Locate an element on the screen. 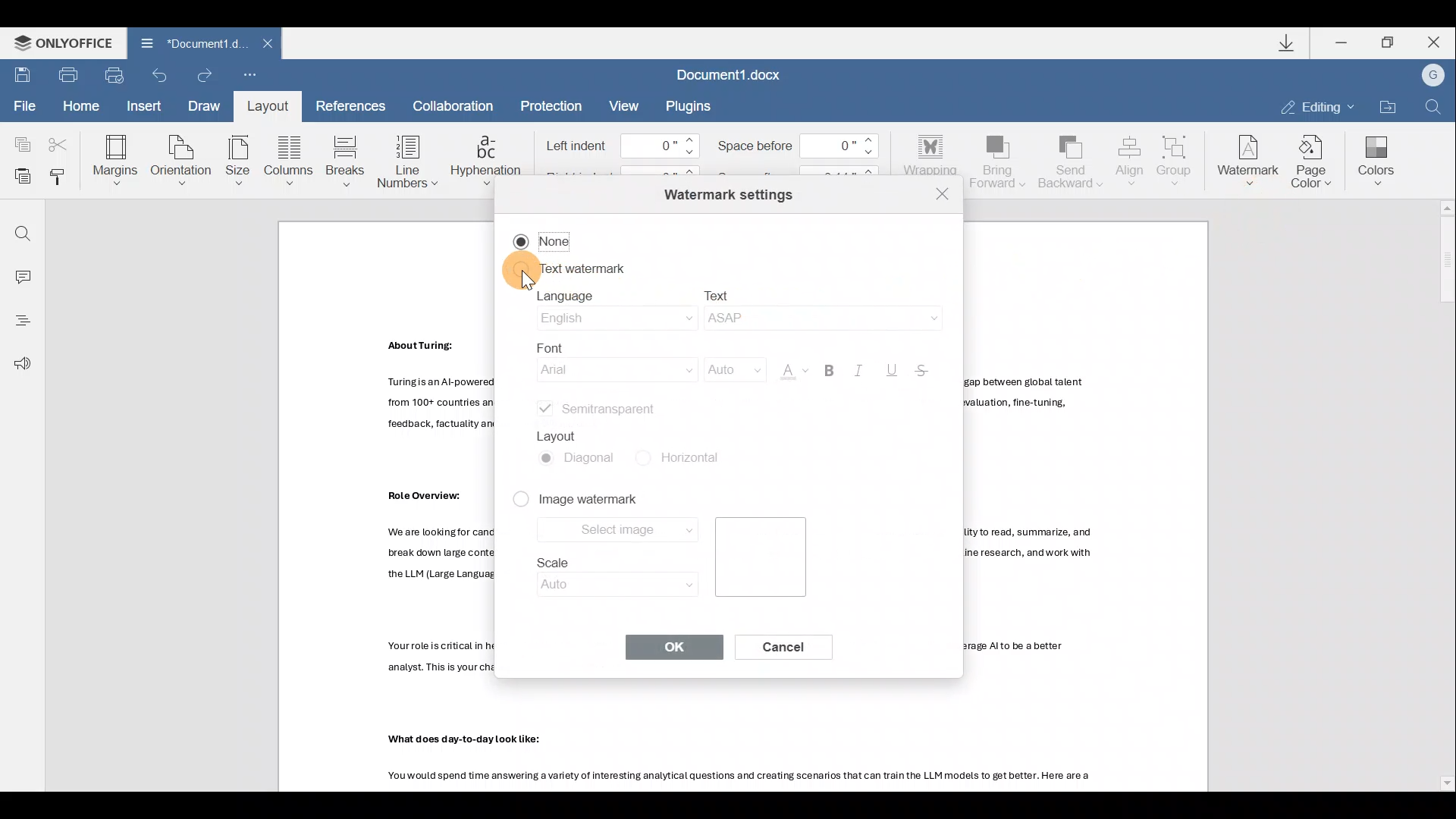 Image resolution: width=1456 pixels, height=819 pixels. Scroll bar is located at coordinates (1441, 494).